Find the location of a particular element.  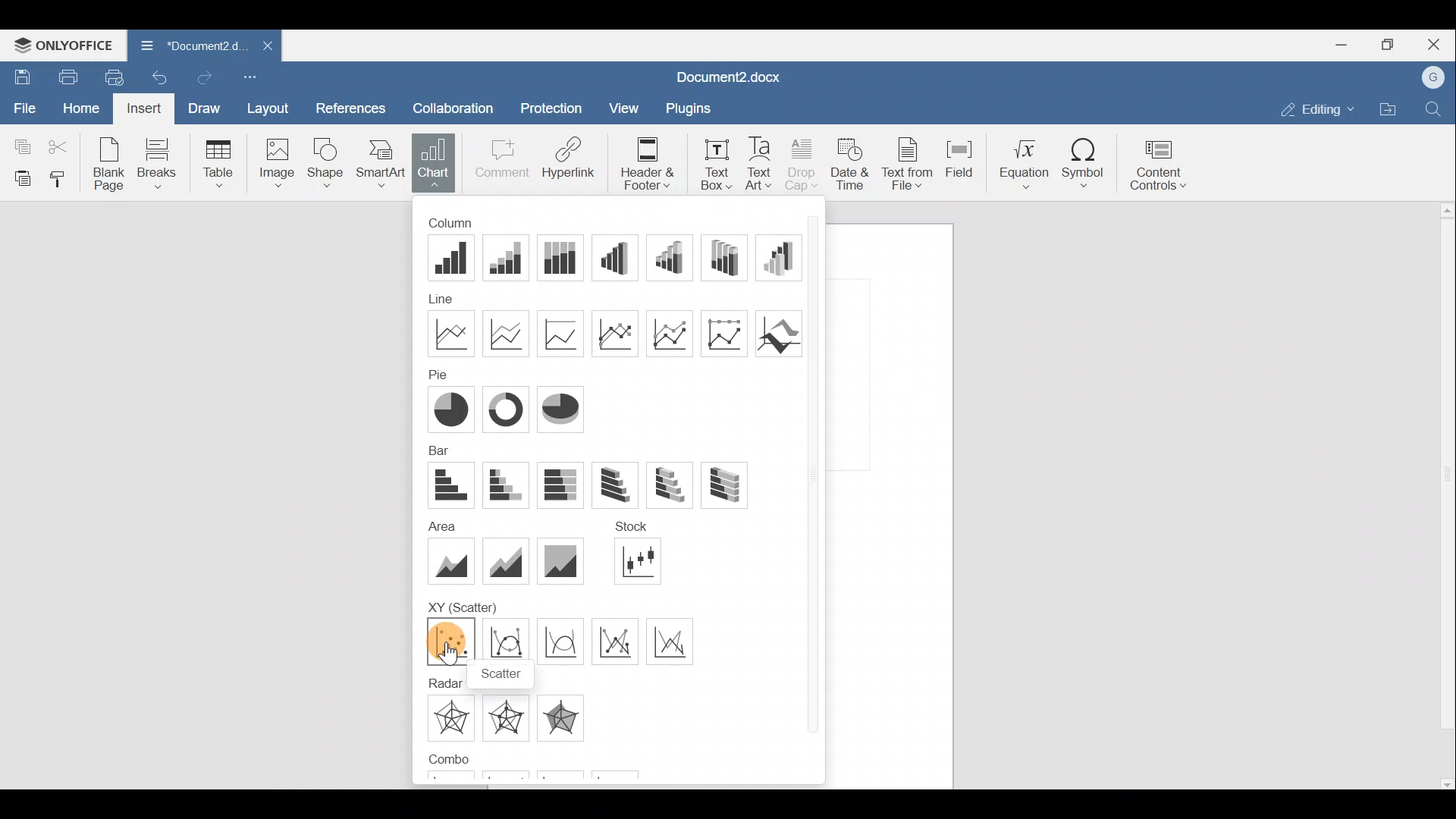

Save is located at coordinates (19, 75).